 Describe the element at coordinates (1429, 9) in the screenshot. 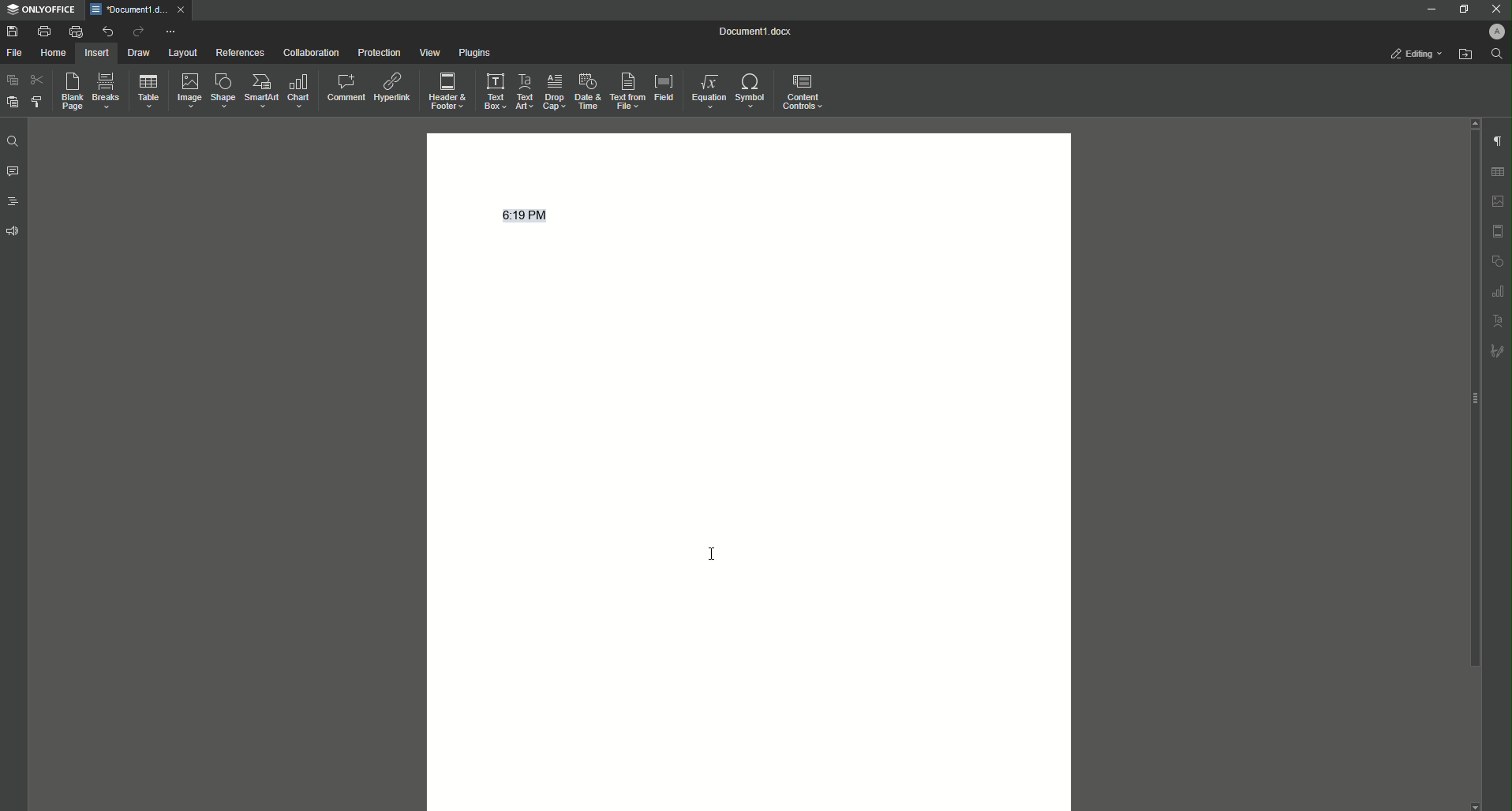

I see `Minimize` at that location.